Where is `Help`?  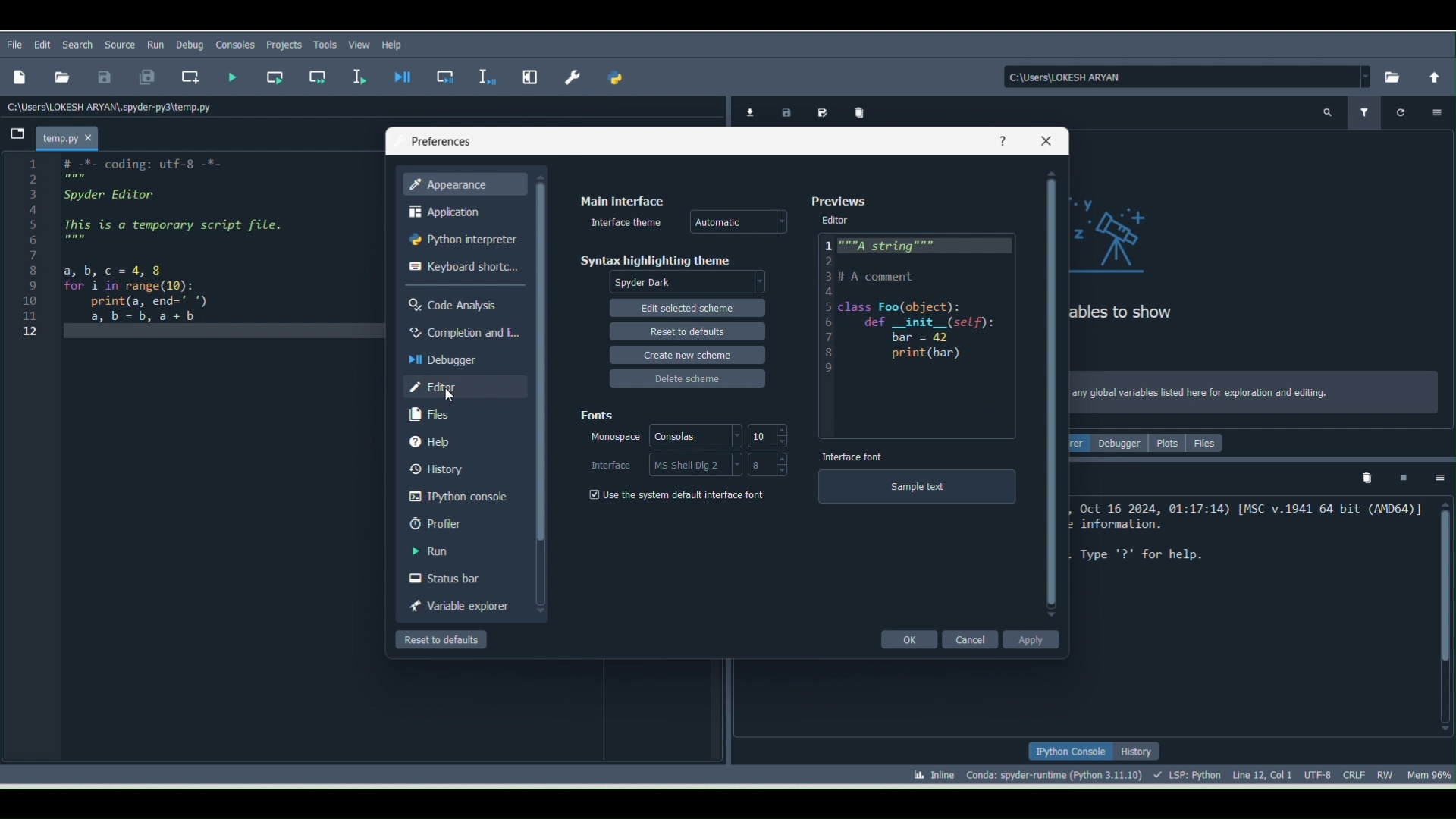 Help is located at coordinates (396, 44).